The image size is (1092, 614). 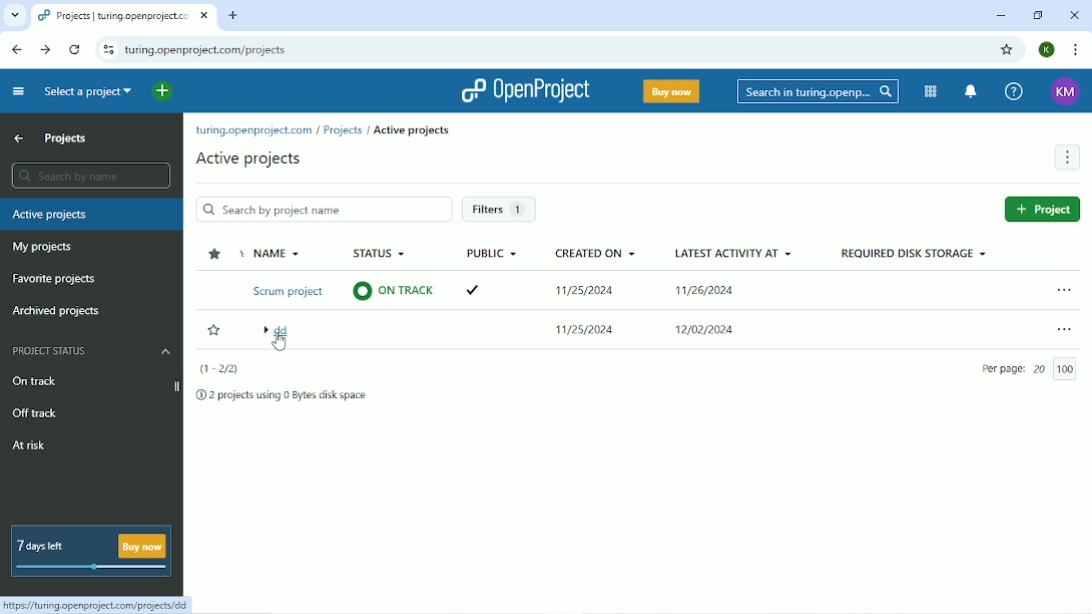 What do you see at coordinates (56, 311) in the screenshot?
I see `Archived projects` at bounding box center [56, 311].